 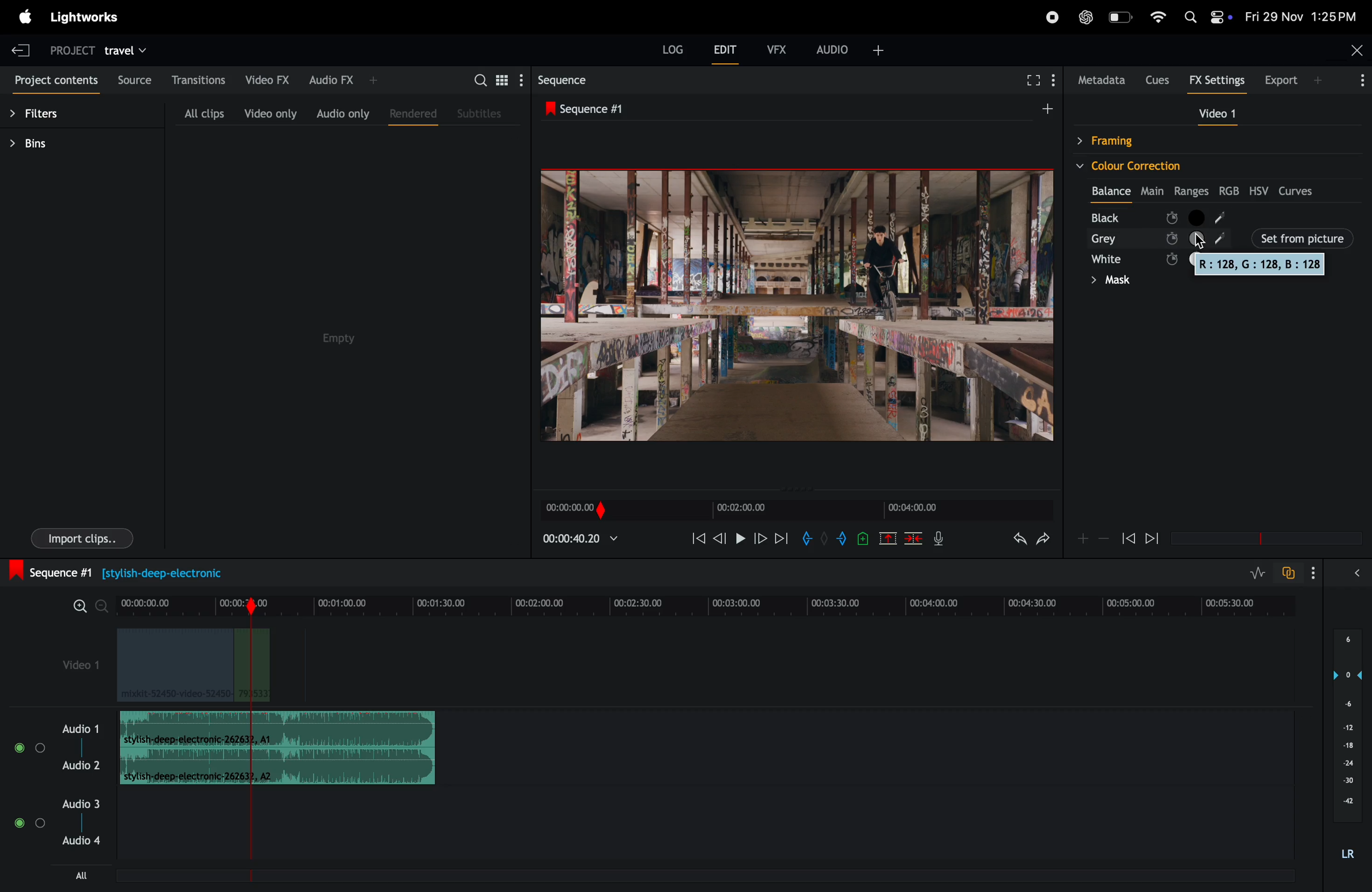 What do you see at coordinates (1199, 243) in the screenshot?
I see `Mouse Cursor` at bounding box center [1199, 243].